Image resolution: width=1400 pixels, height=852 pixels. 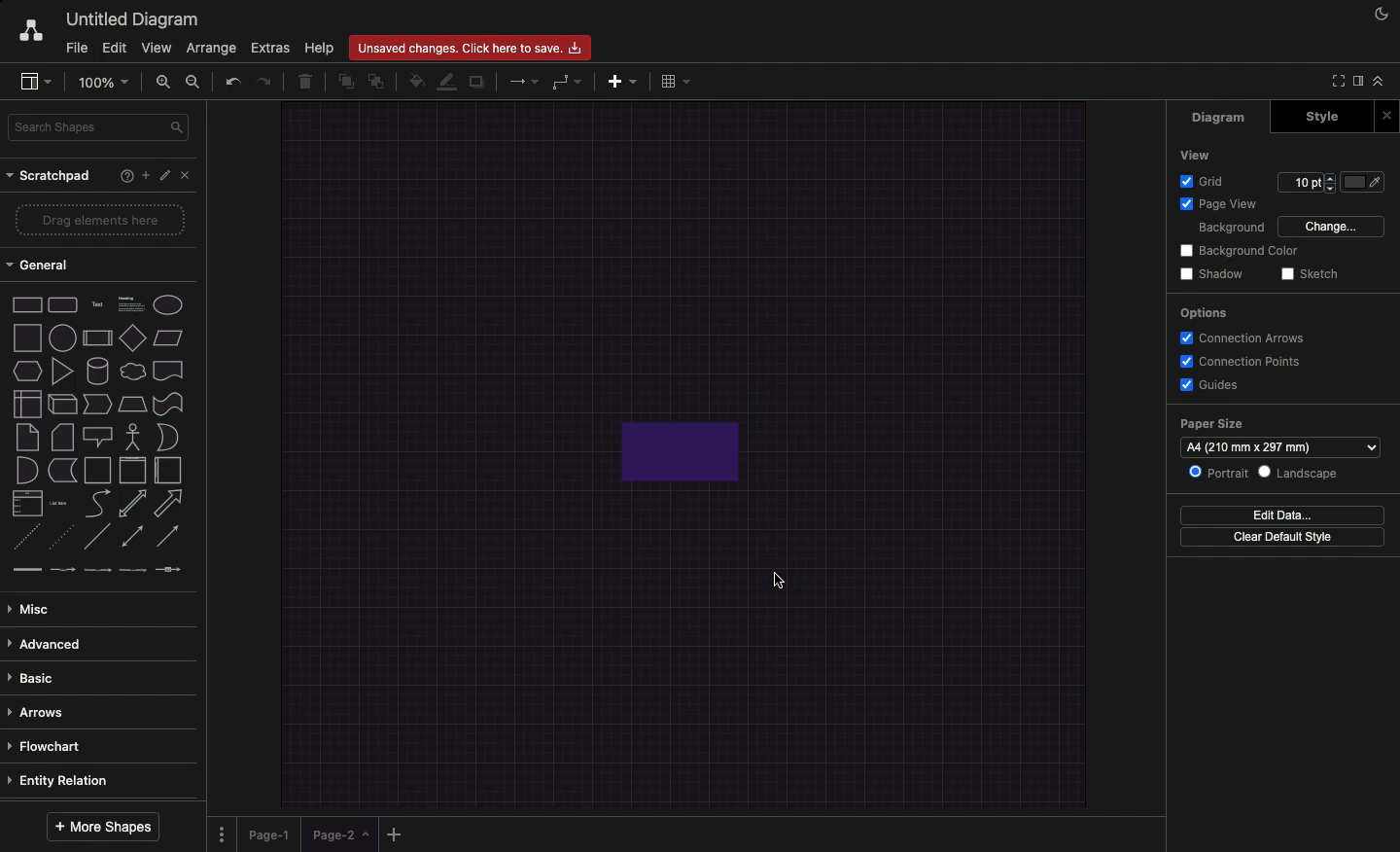 I want to click on Paper size, so click(x=1282, y=433).